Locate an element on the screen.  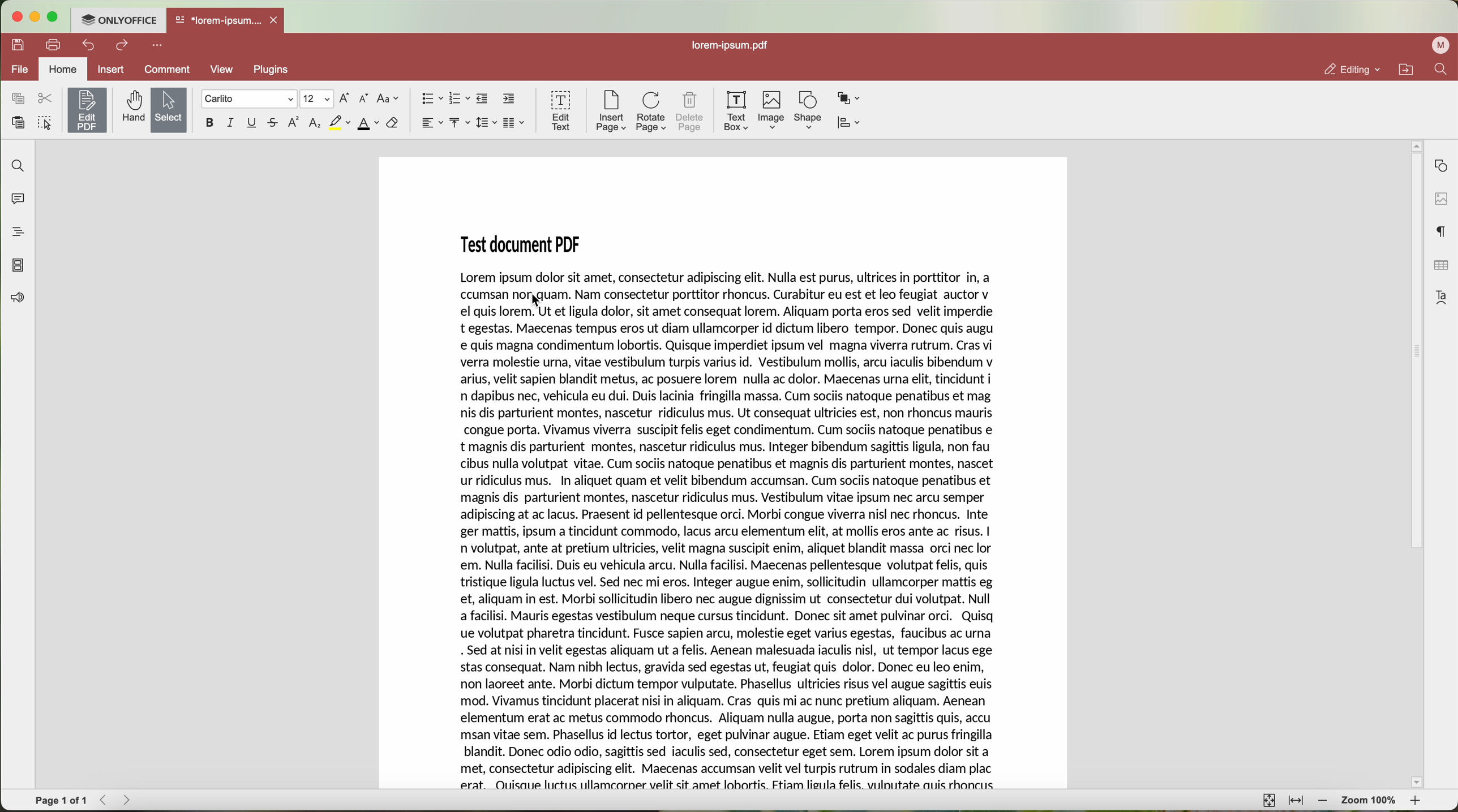
arrange shape is located at coordinates (848, 97).